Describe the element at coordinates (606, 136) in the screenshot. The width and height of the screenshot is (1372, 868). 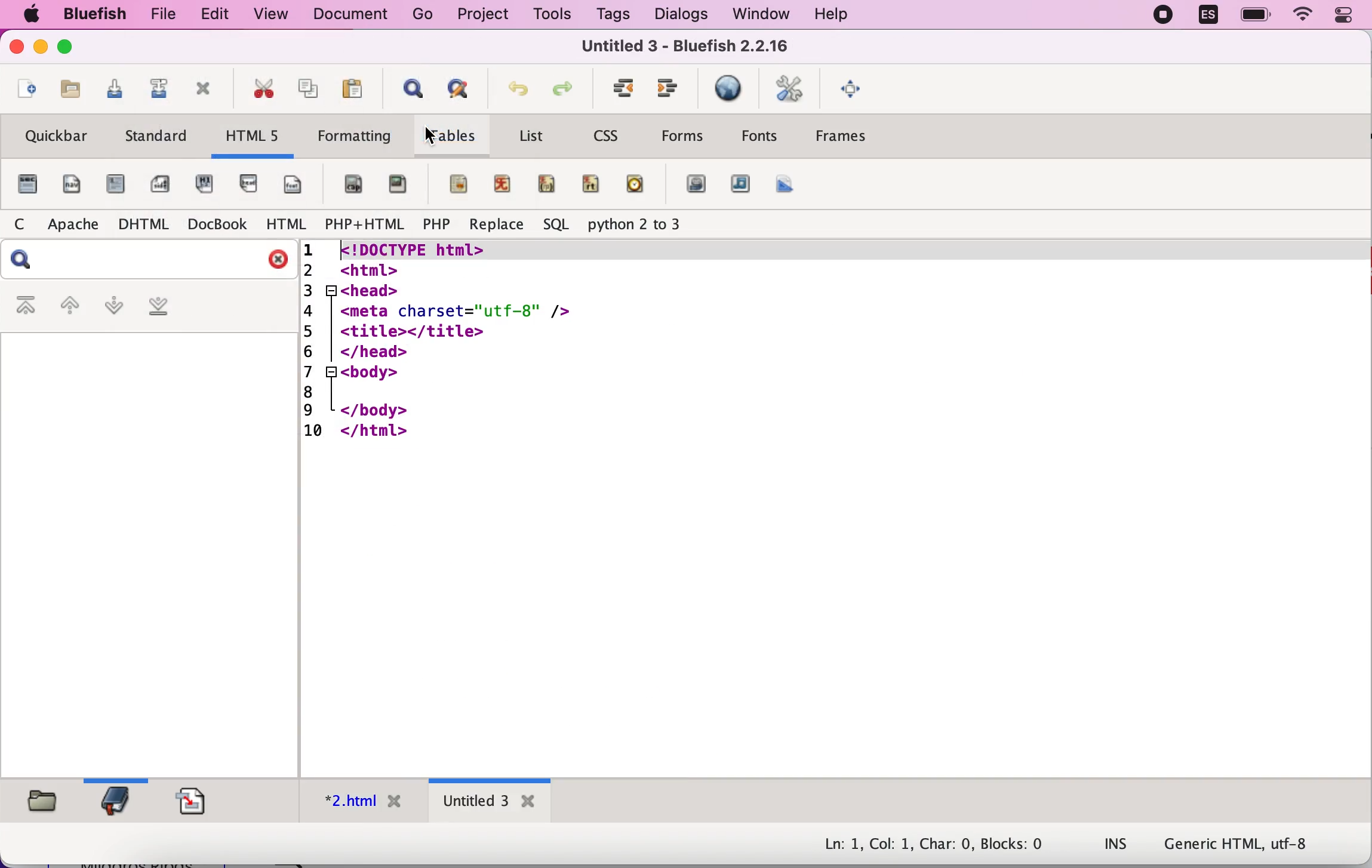
I see `css` at that location.